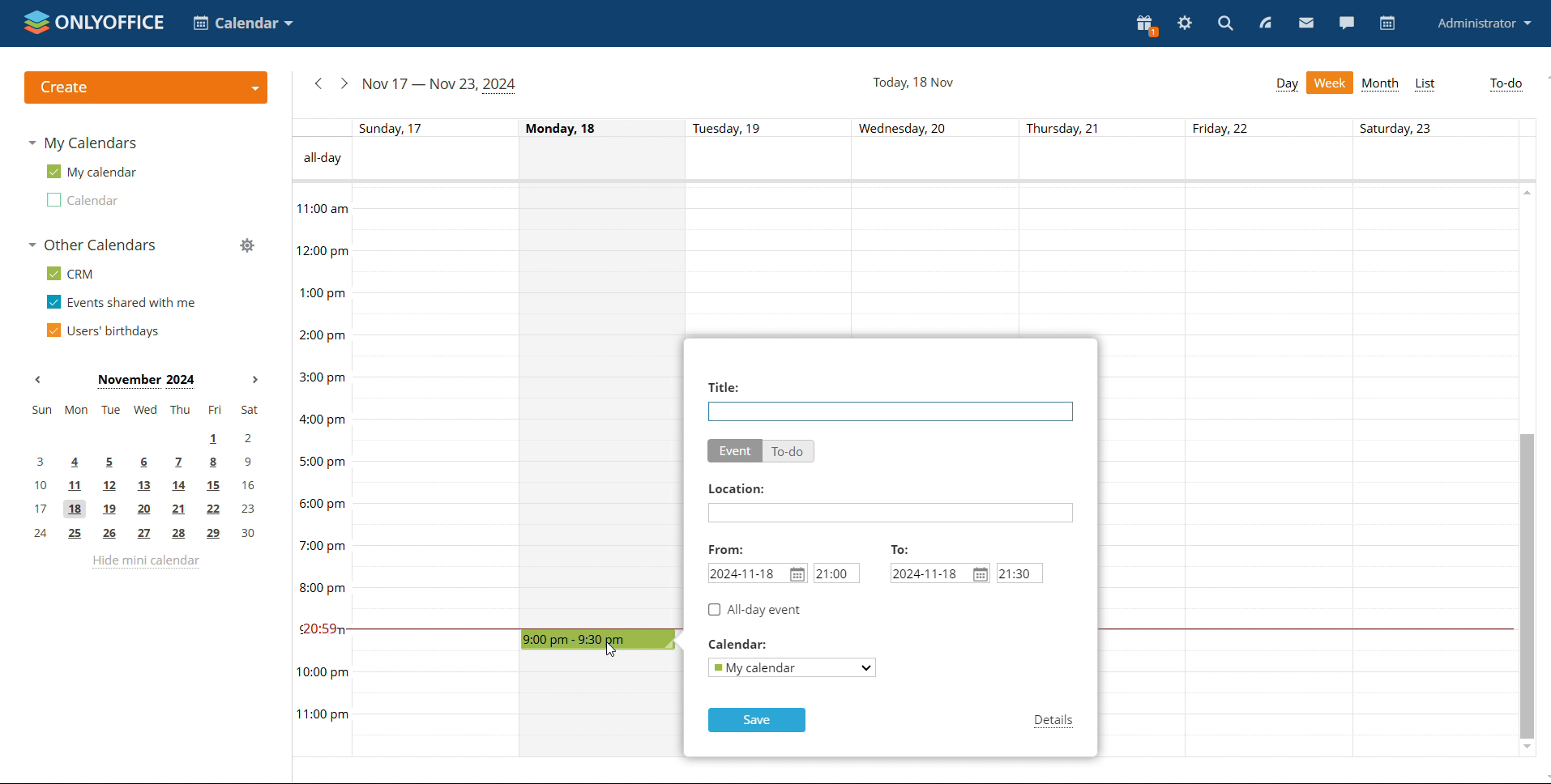 This screenshot has width=1551, height=784. Describe the element at coordinates (254, 380) in the screenshot. I see `next month` at that location.